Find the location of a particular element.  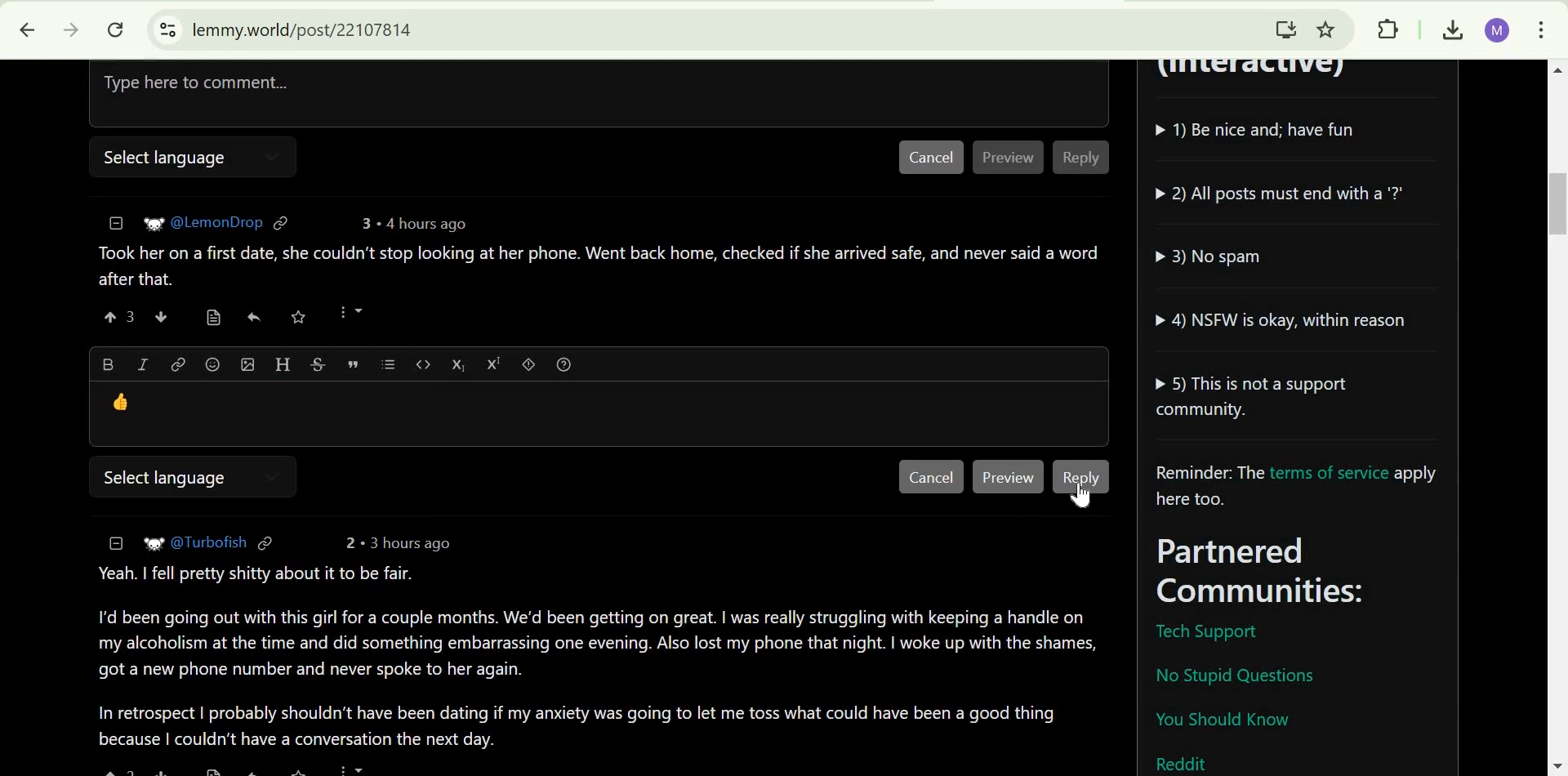

customize and control Google Chrome is located at coordinates (1542, 32).